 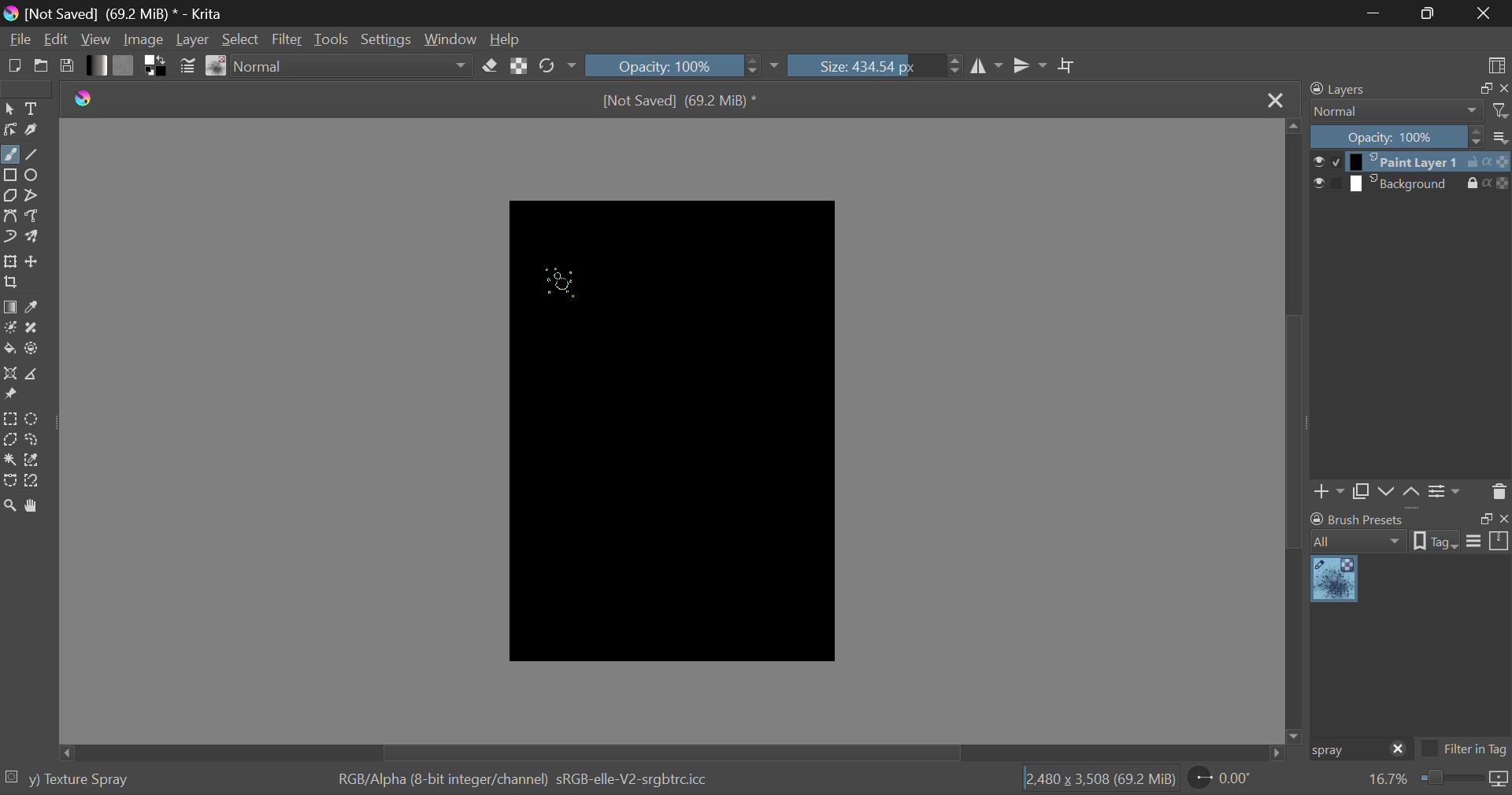 I want to click on logo, so click(x=9, y=13).